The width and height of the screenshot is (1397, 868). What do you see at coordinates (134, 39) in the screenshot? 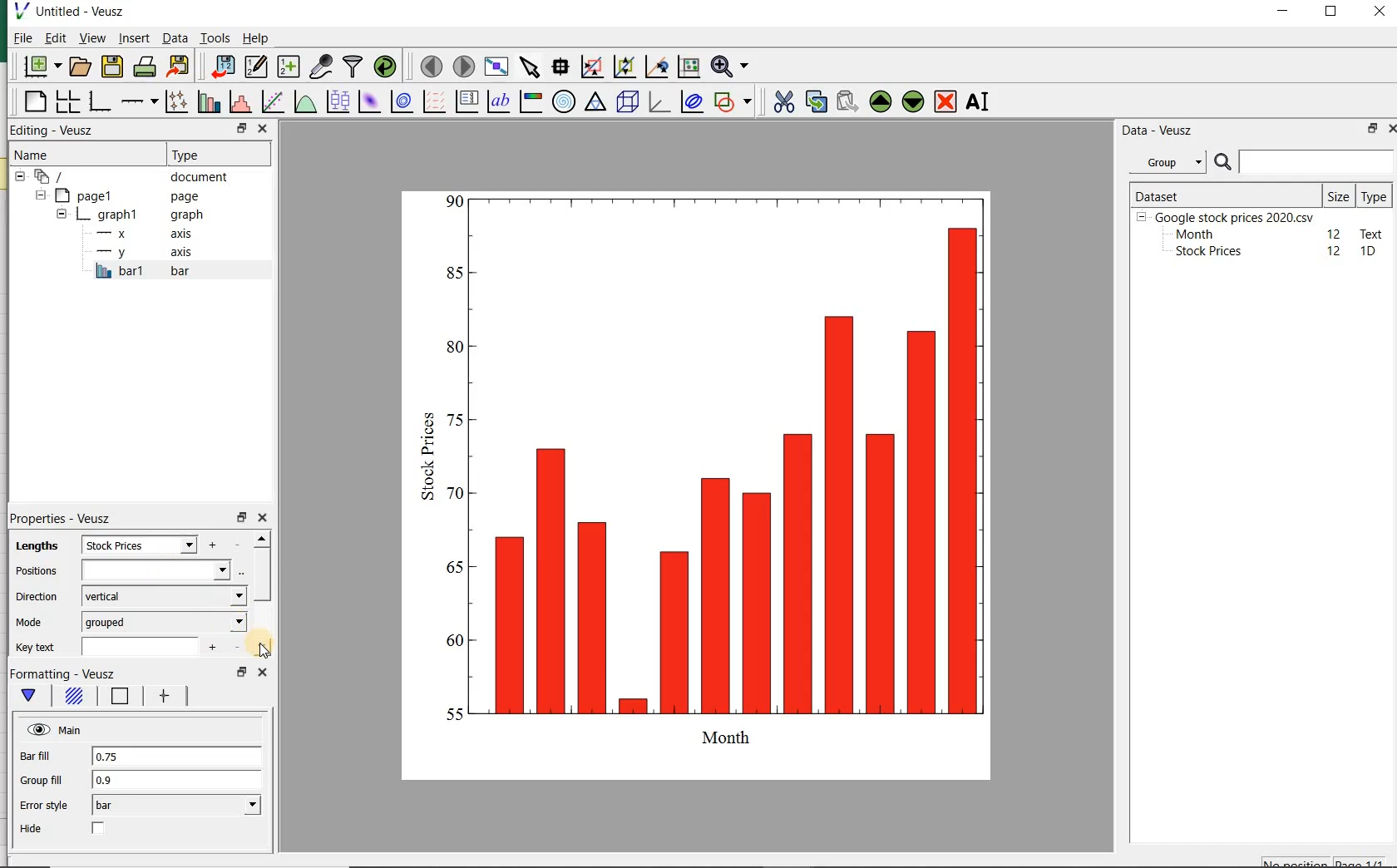
I see `insert` at bounding box center [134, 39].